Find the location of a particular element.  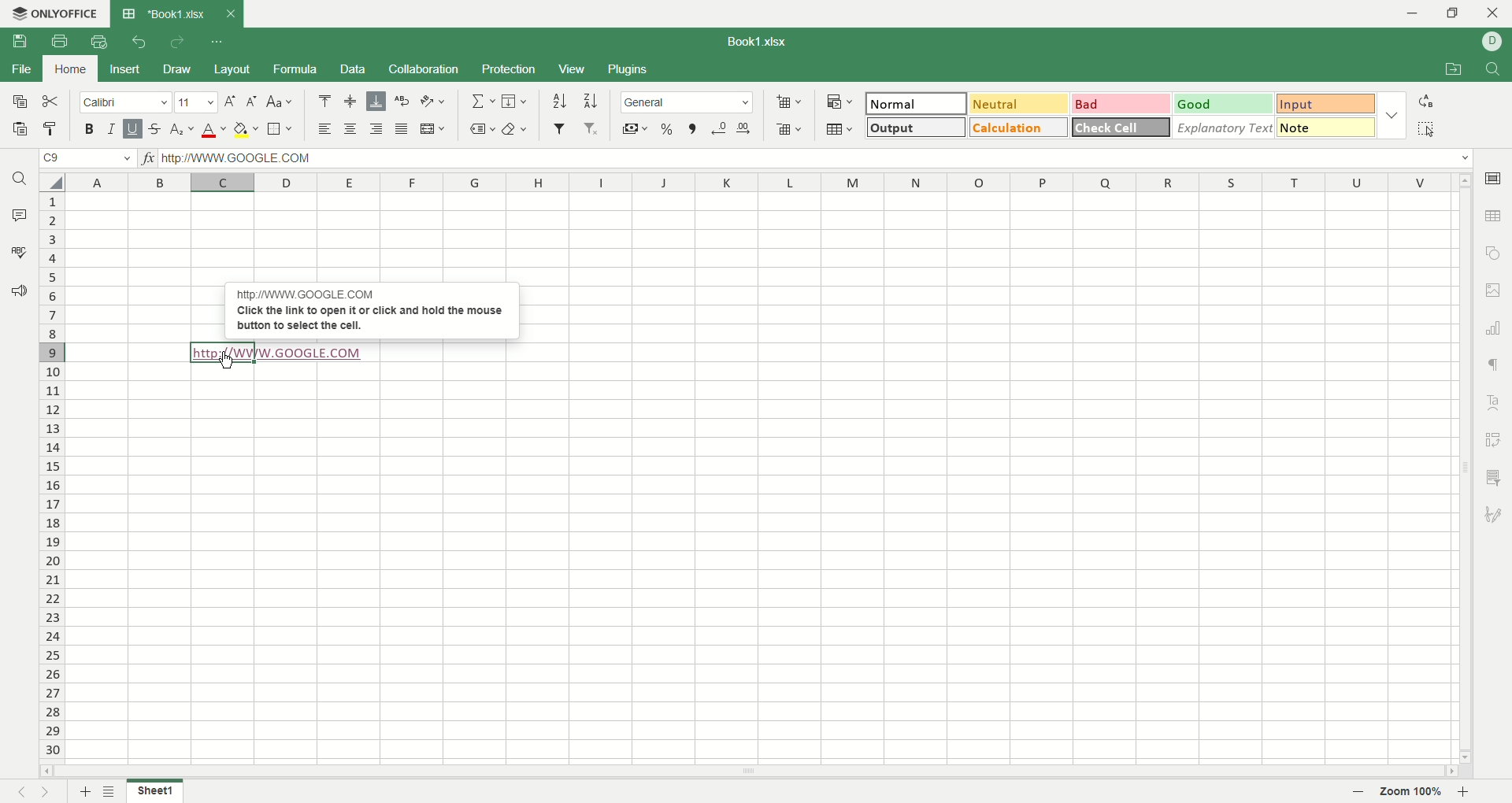

home is located at coordinates (67, 68).